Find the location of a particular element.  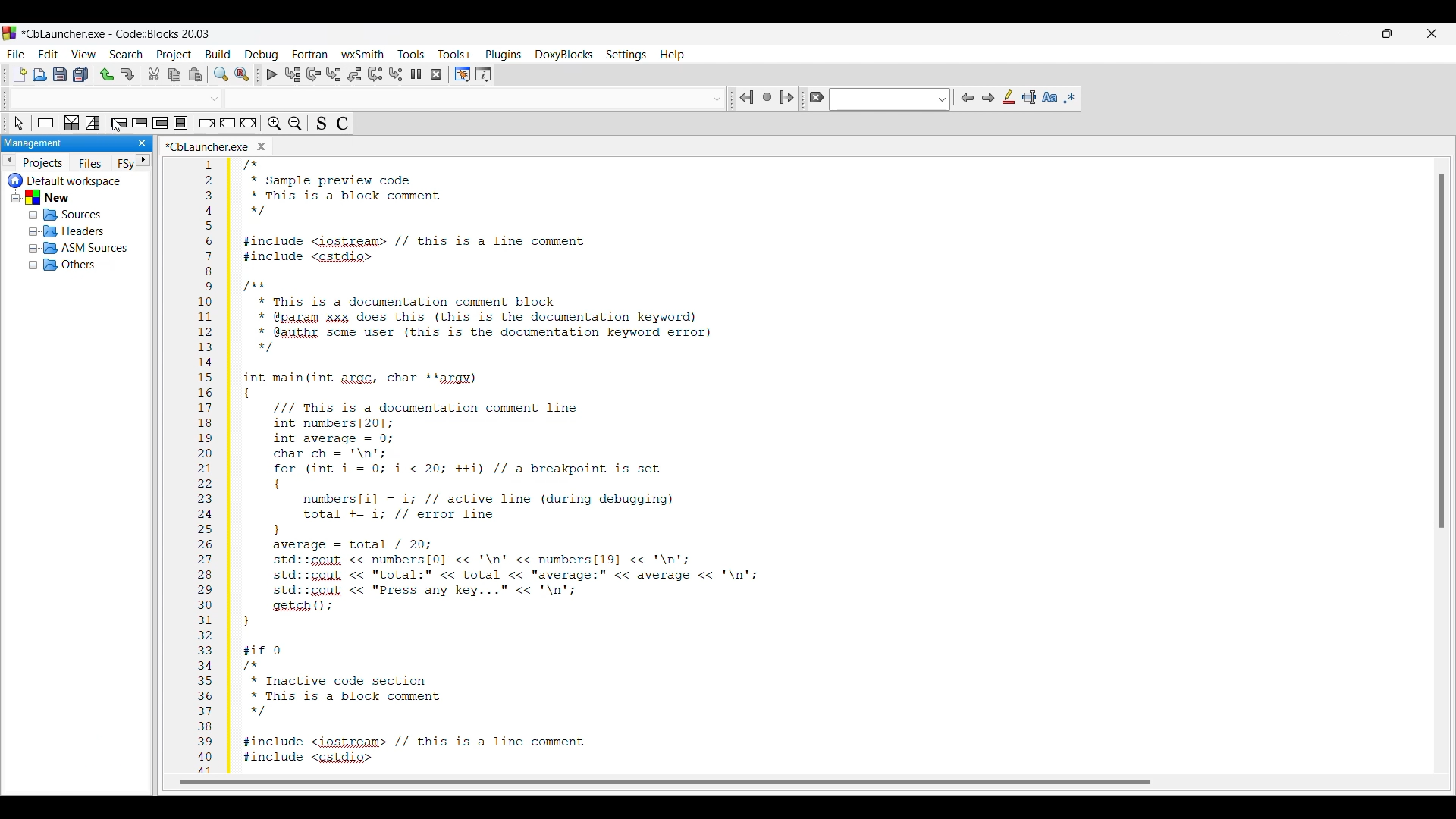

Toggle source  is located at coordinates (322, 123).